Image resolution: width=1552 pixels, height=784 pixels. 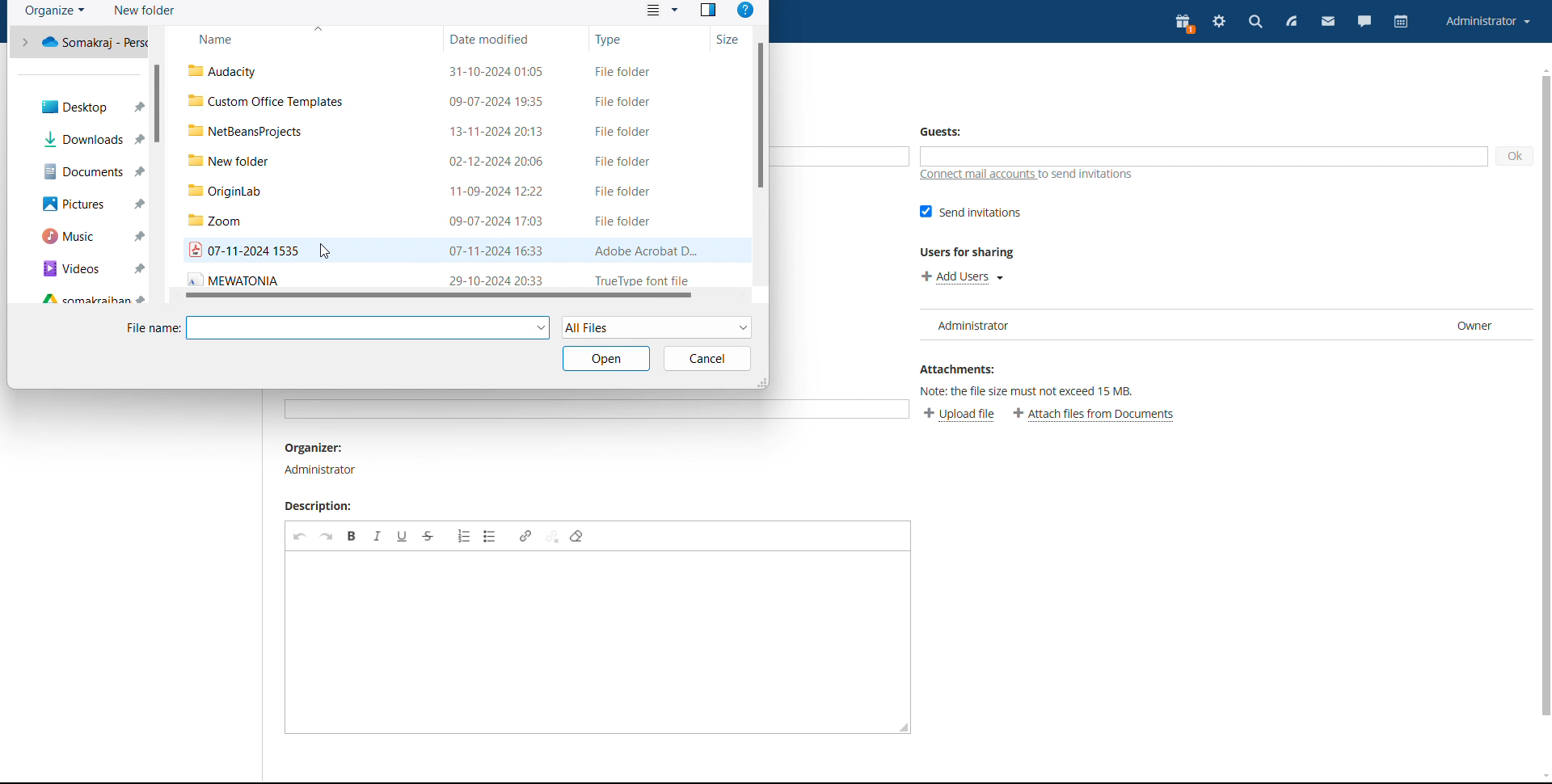 What do you see at coordinates (462, 103) in the screenshot?
I see `` at bounding box center [462, 103].